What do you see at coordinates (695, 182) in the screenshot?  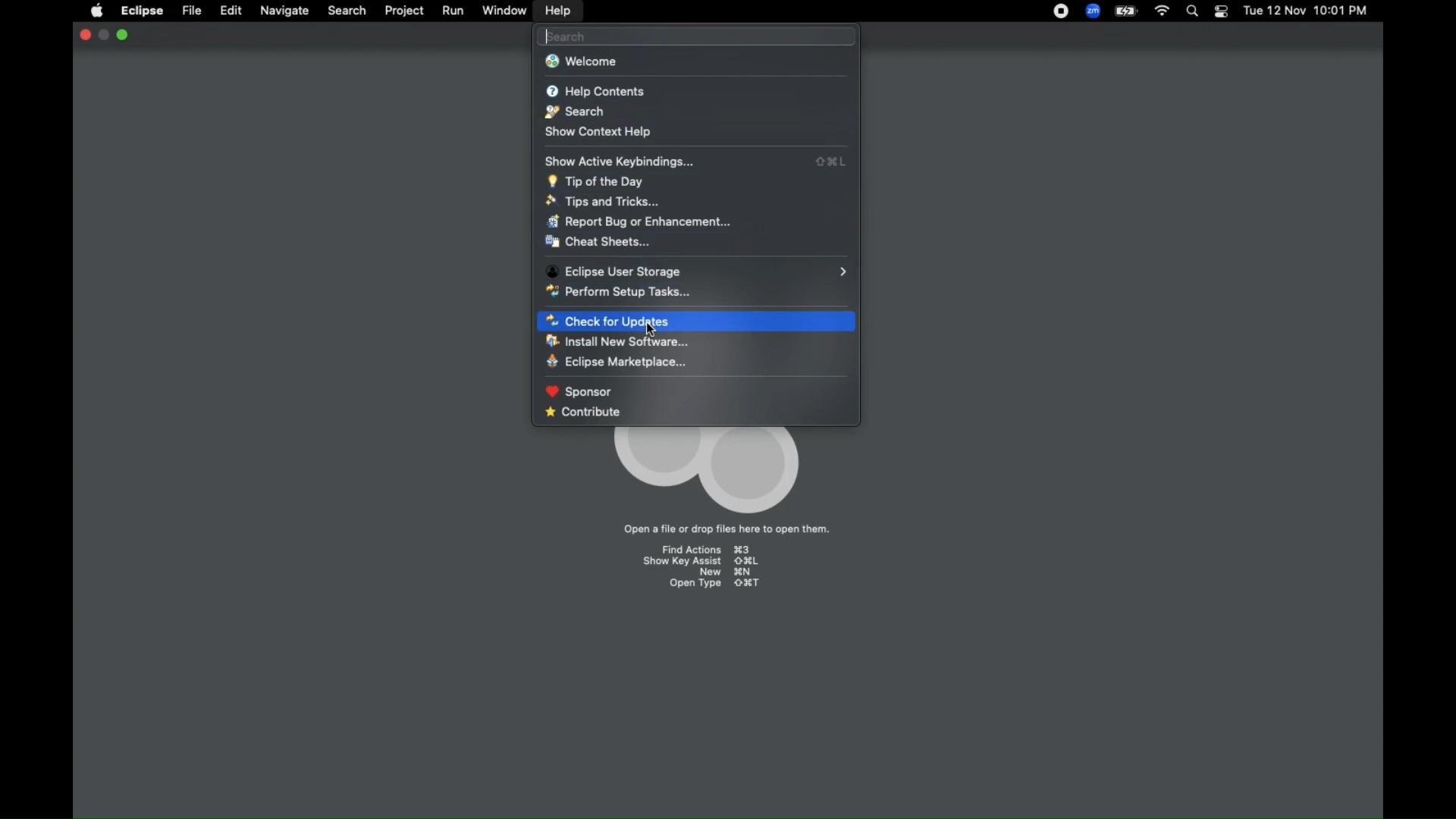 I see `Tip of the Day` at bounding box center [695, 182].